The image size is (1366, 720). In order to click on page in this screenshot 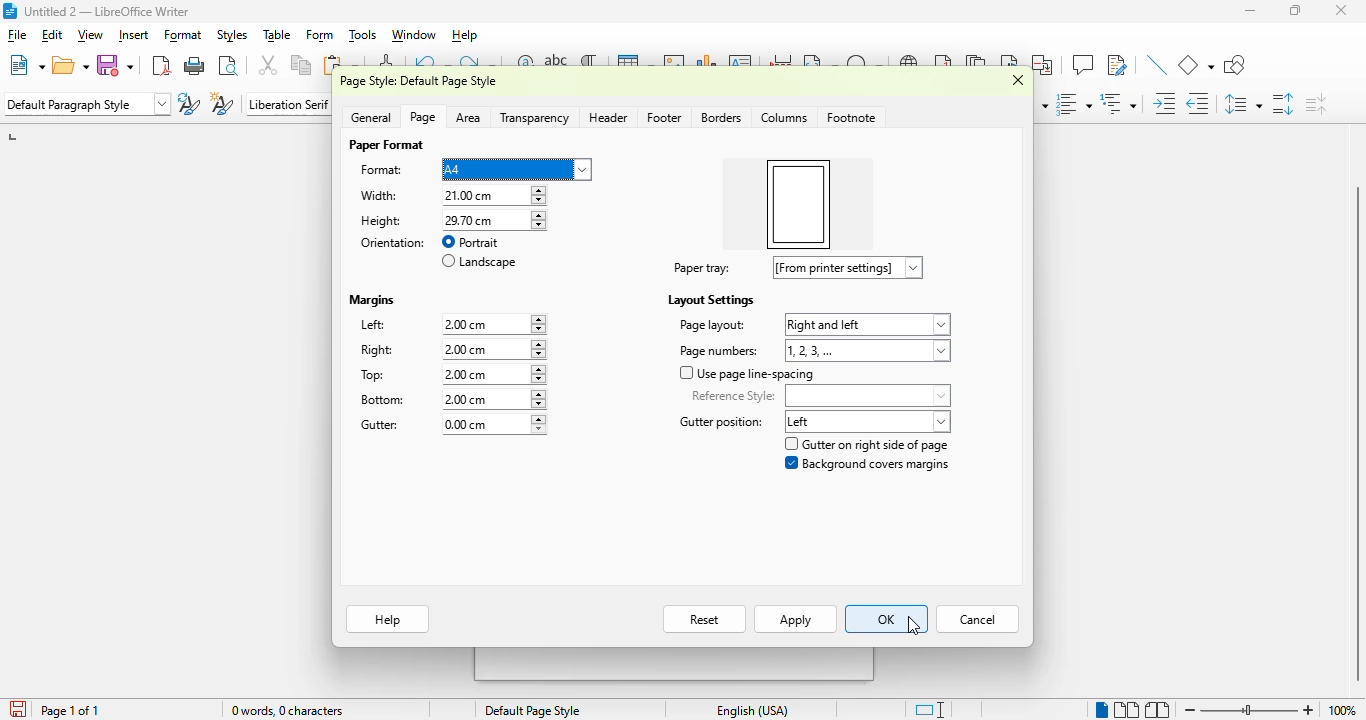, I will do `click(423, 118)`.